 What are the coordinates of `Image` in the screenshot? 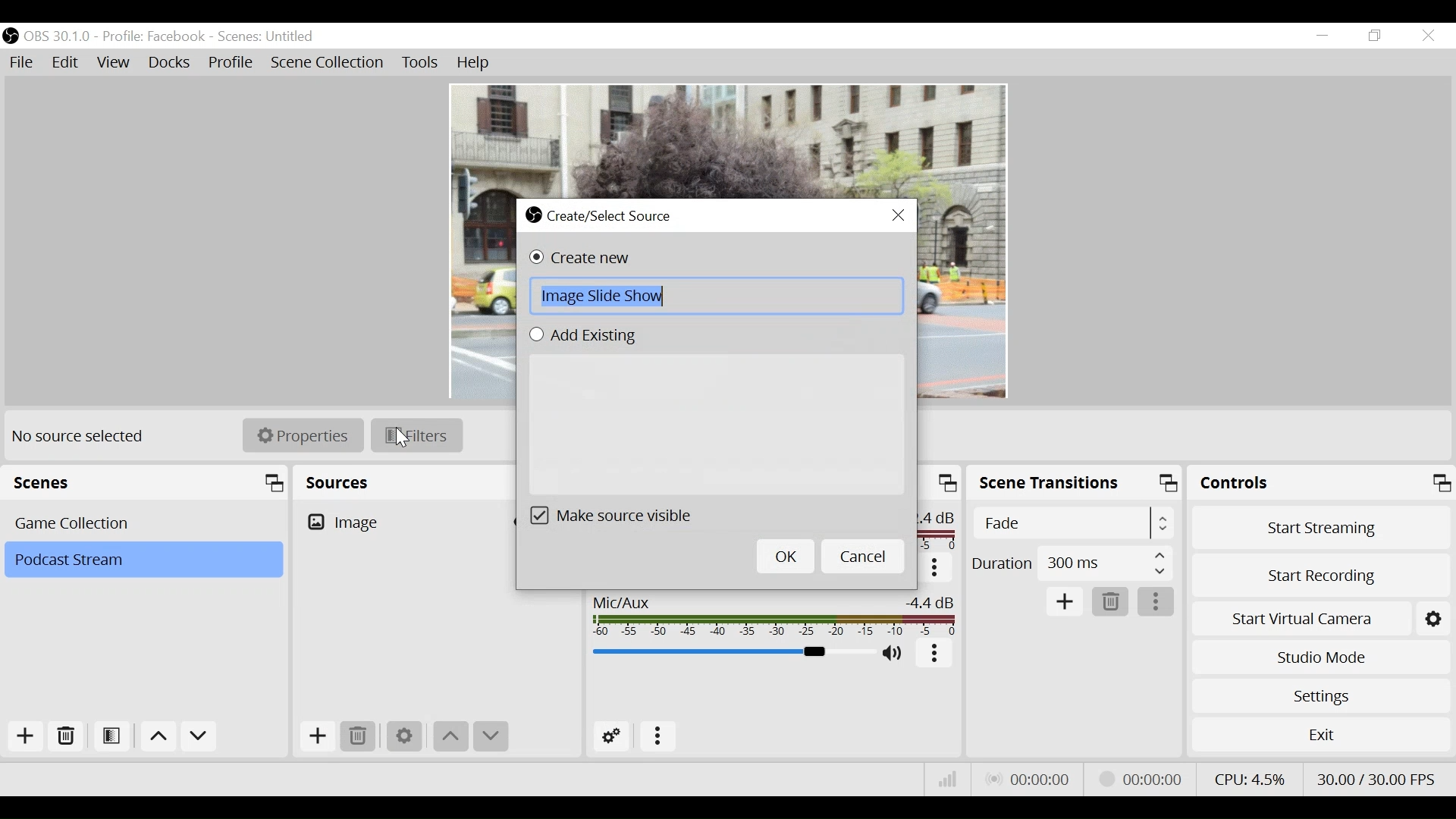 It's located at (401, 522).